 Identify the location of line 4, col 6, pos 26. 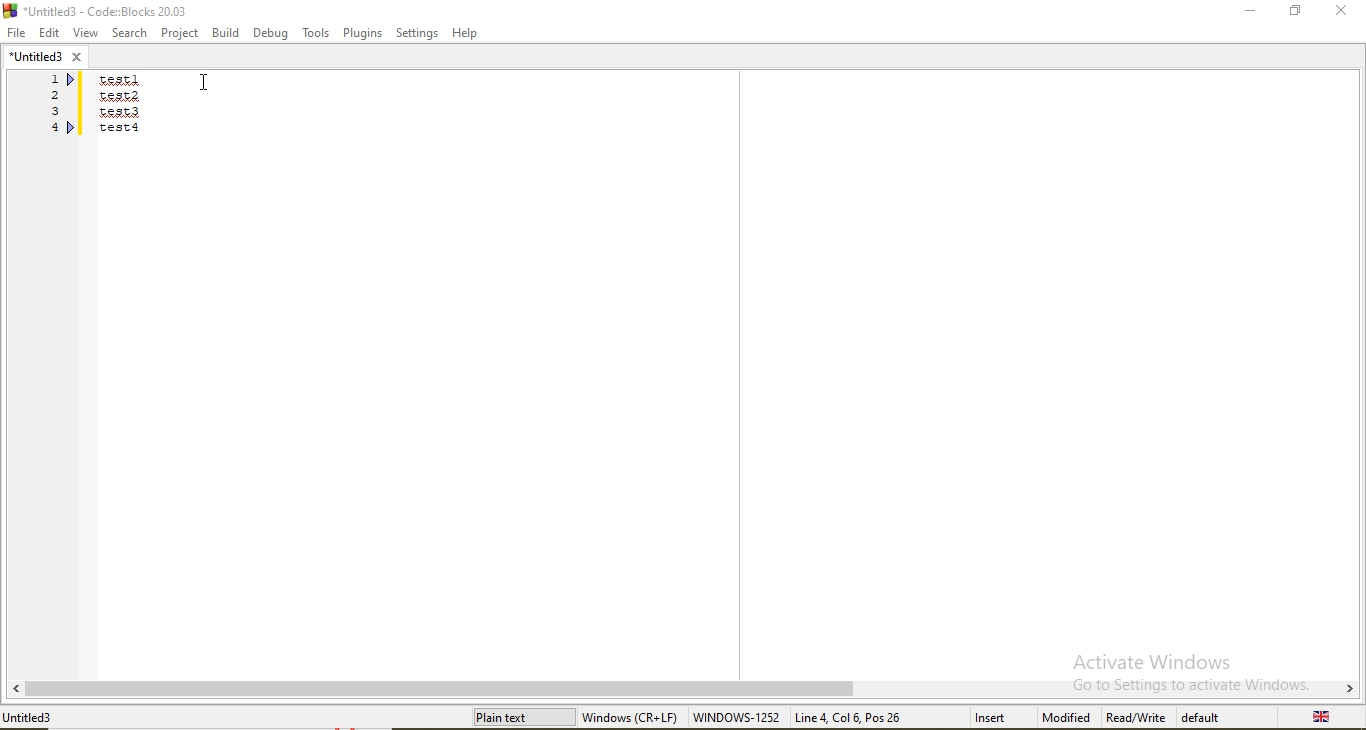
(852, 717).